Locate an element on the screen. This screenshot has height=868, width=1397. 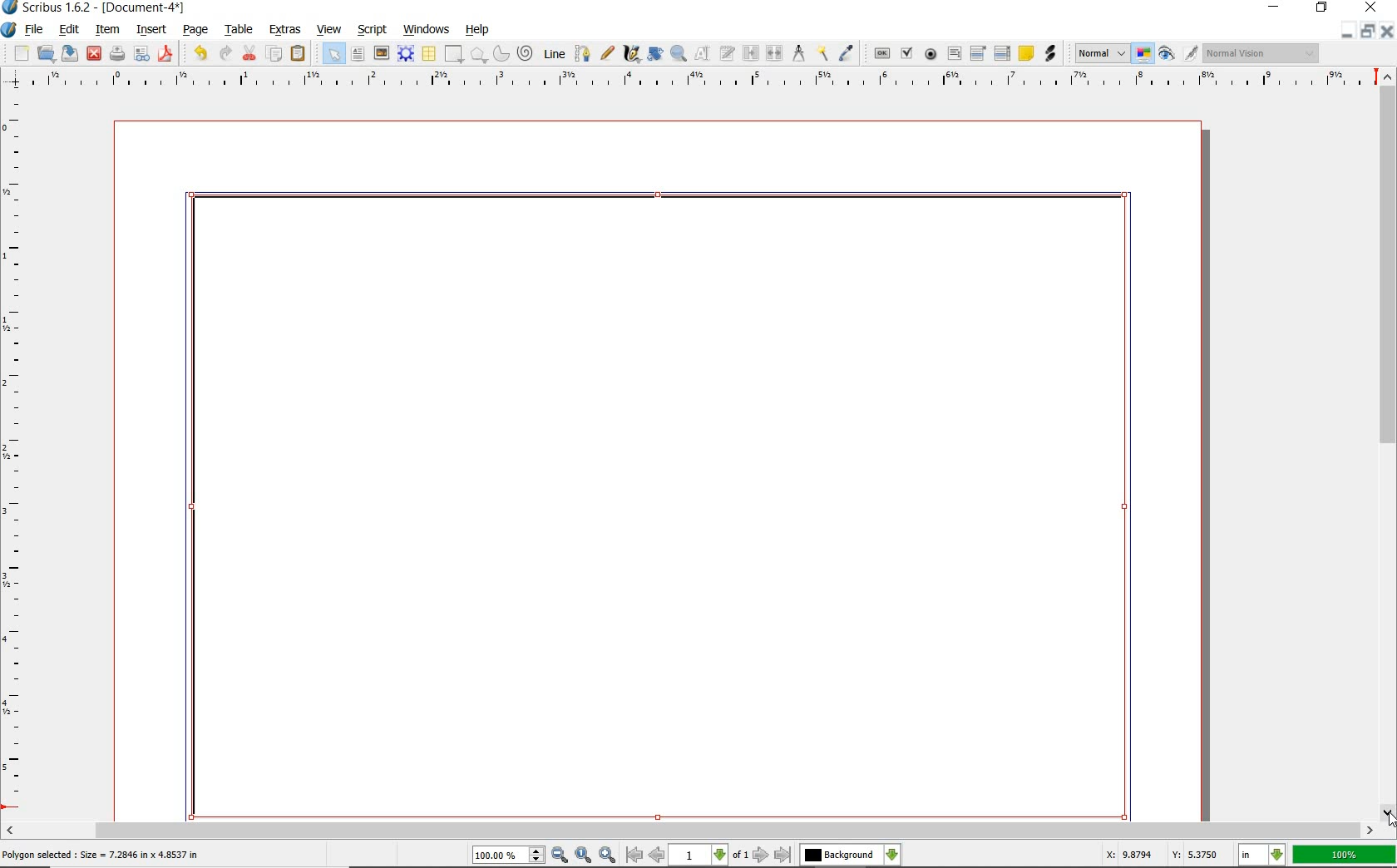
open is located at coordinates (47, 54).